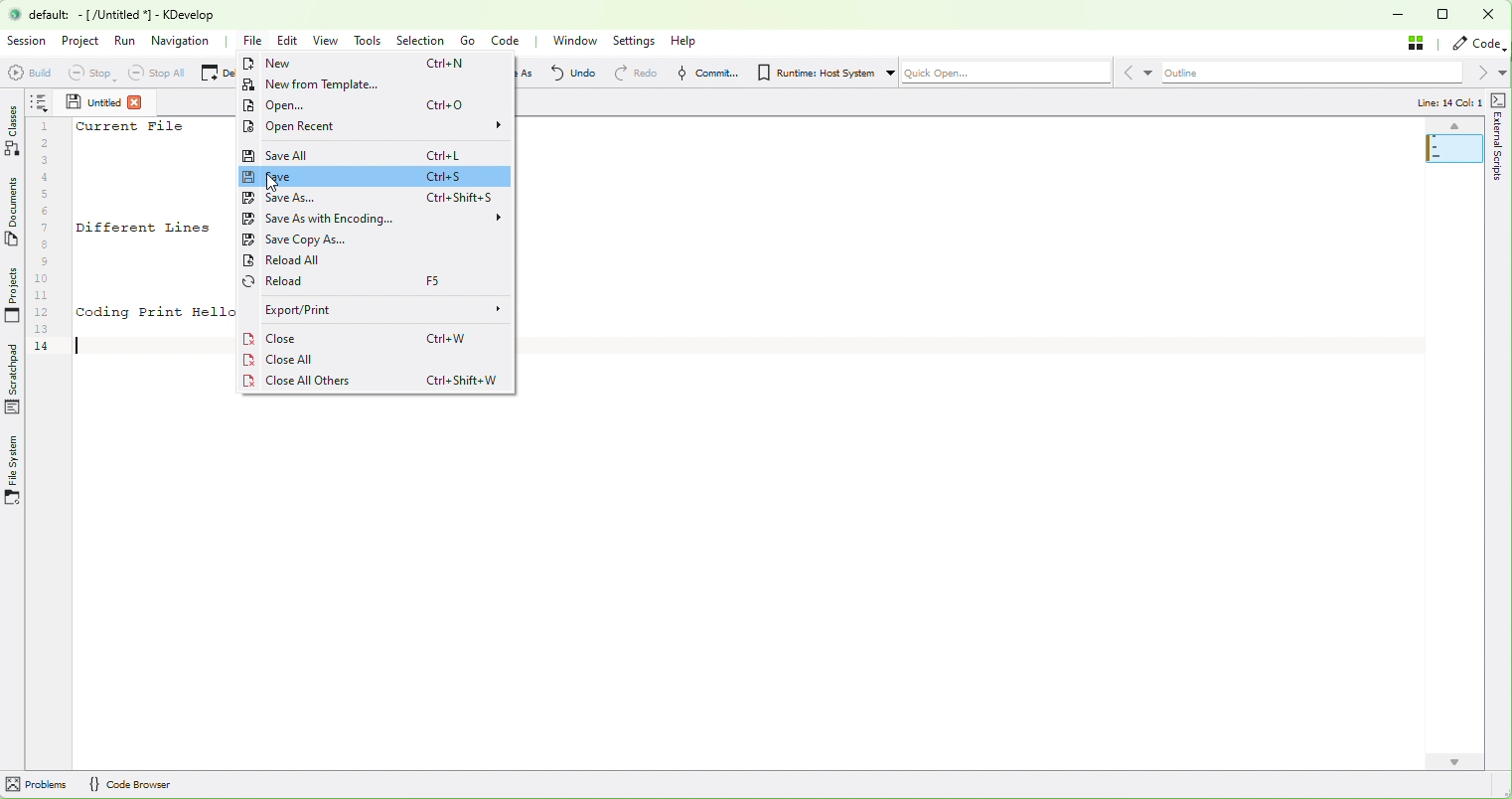 The width and height of the screenshot is (1512, 799). I want to click on CtrlsW, so click(450, 340).